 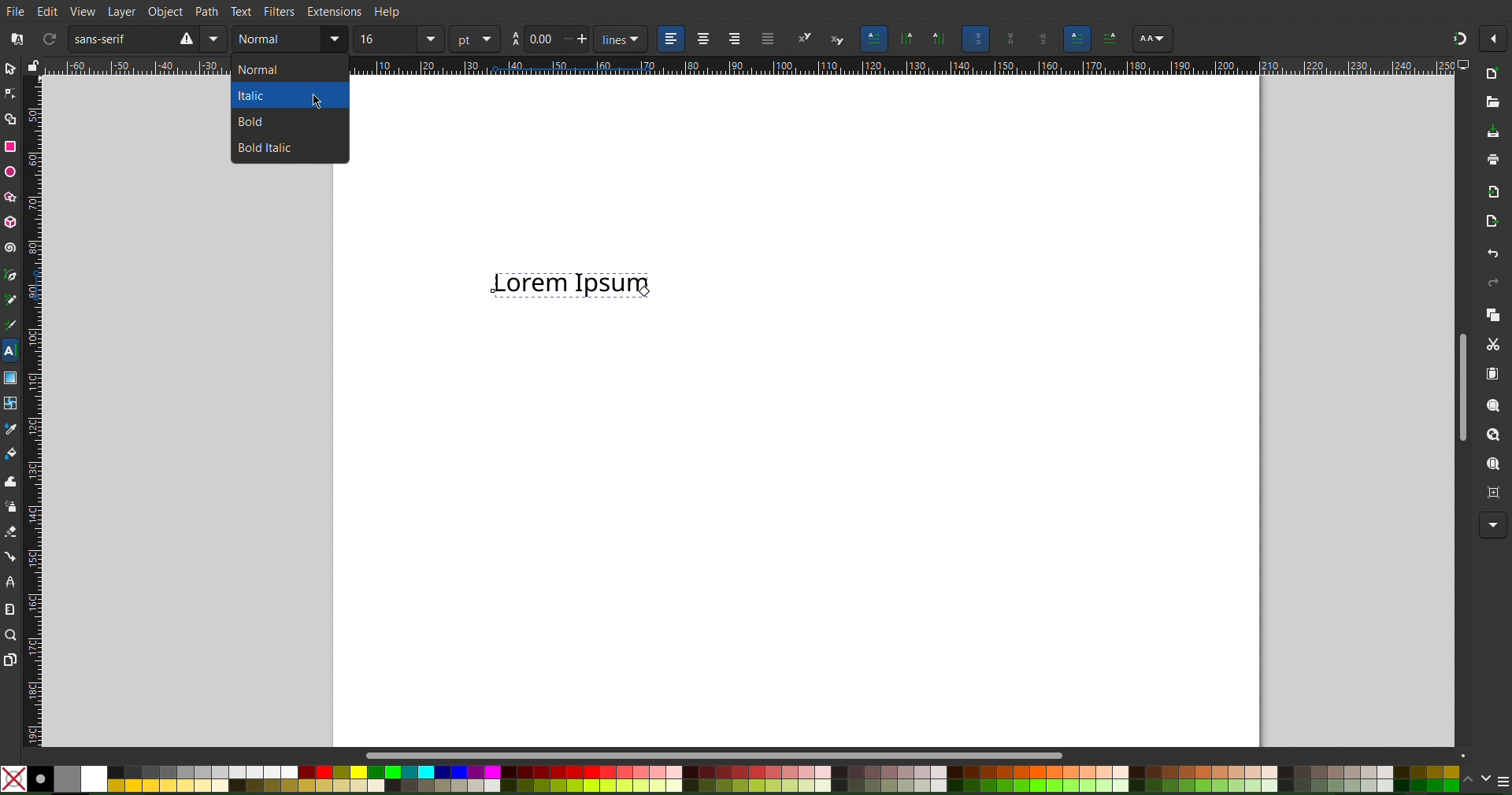 What do you see at coordinates (282, 10) in the screenshot?
I see `Filters` at bounding box center [282, 10].